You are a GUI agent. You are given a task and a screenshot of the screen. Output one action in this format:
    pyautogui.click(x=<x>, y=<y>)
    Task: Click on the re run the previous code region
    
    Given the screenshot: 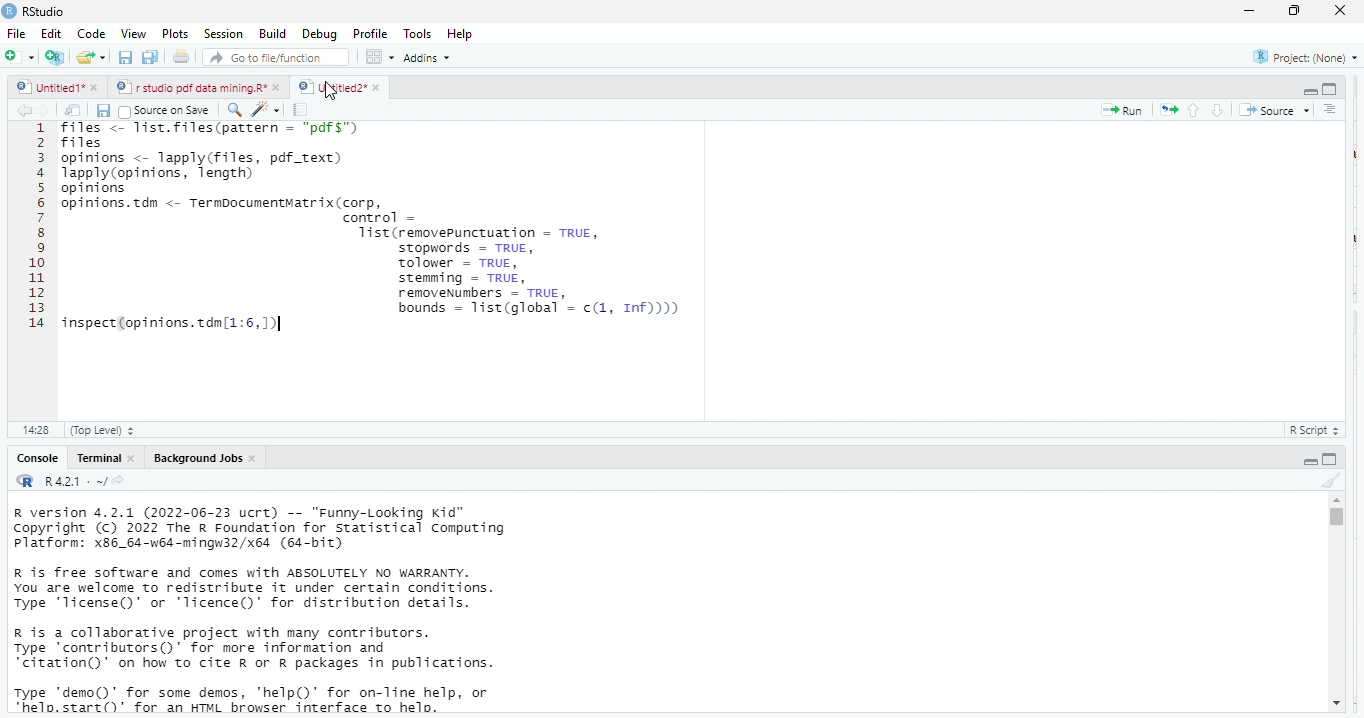 What is the action you would take?
    pyautogui.click(x=1165, y=109)
    